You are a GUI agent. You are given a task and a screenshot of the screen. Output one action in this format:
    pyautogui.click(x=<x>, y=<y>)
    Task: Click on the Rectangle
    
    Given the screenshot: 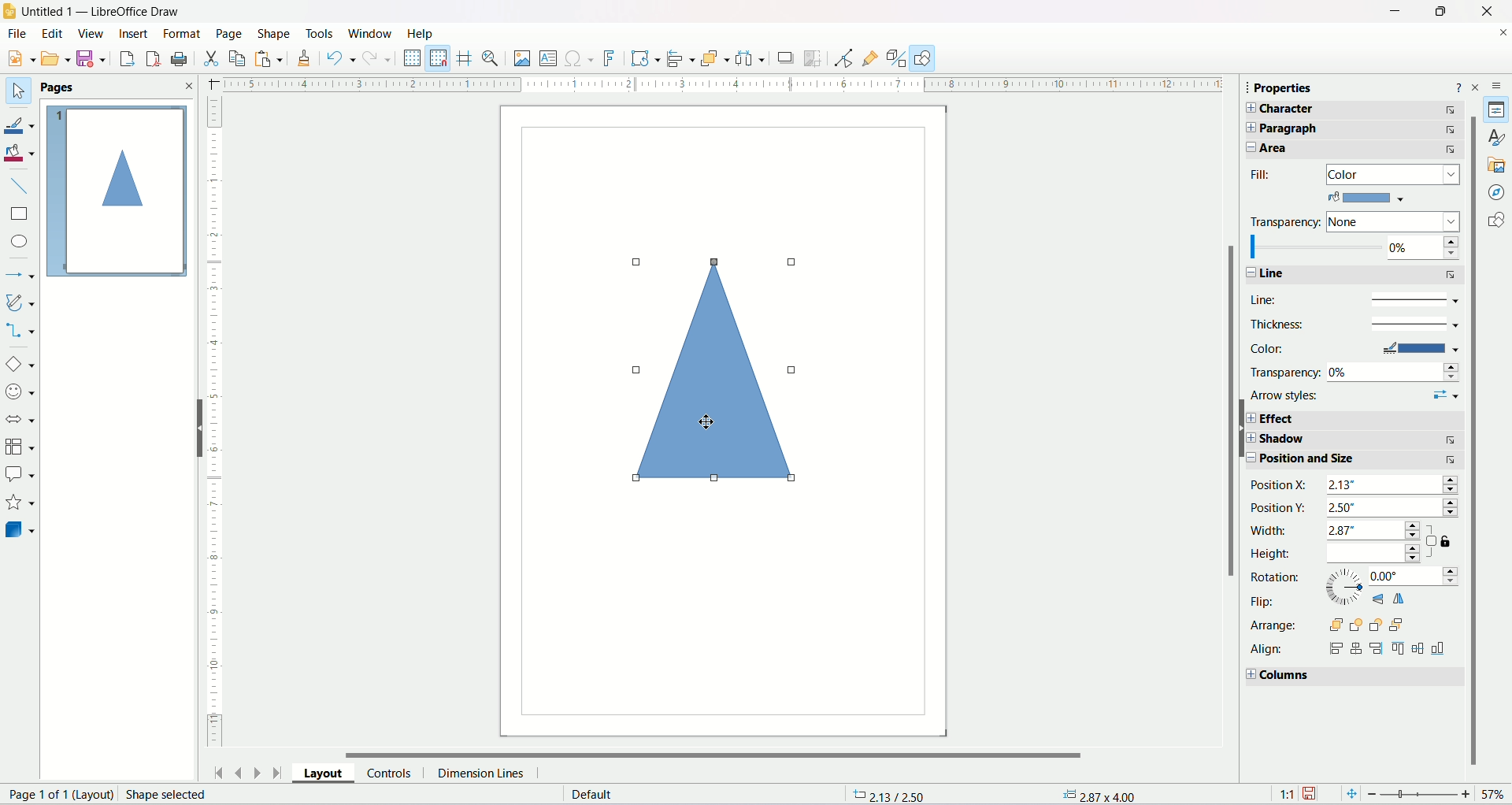 What is the action you would take?
    pyautogui.click(x=20, y=213)
    